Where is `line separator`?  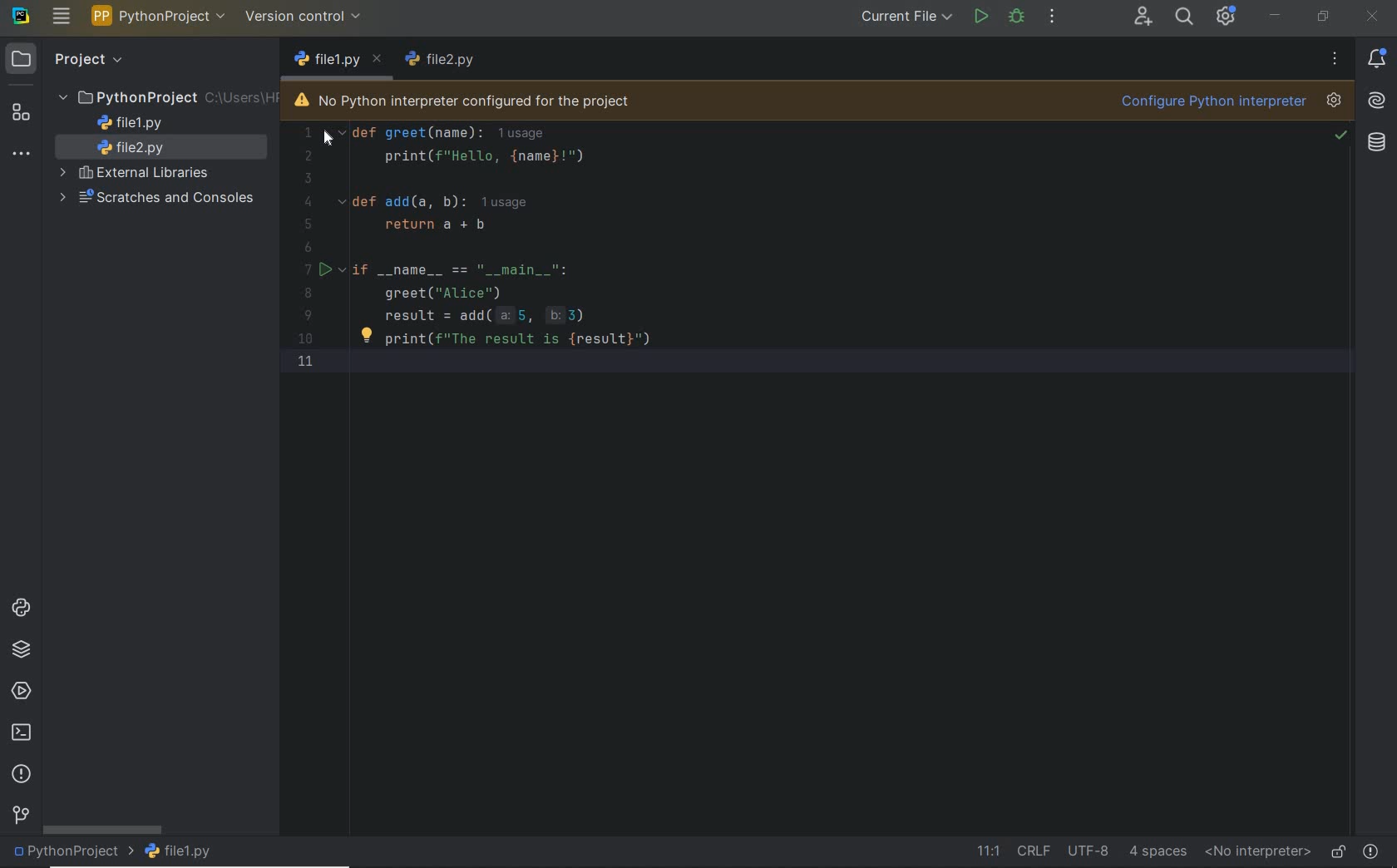 line separator is located at coordinates (1034, 851).